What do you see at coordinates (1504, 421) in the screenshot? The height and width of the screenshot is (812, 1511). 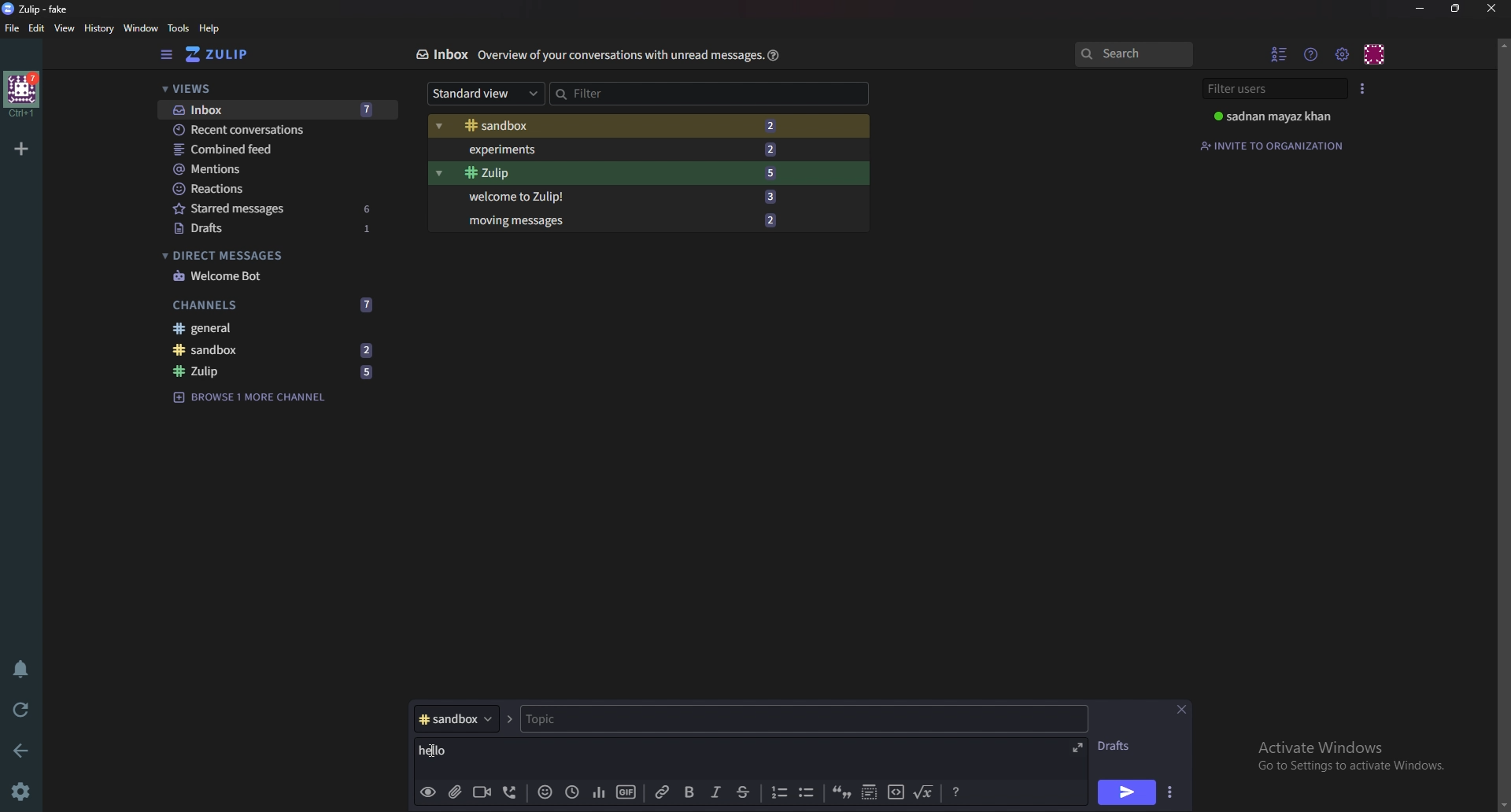 I see `scroll bar` at bounding box center [1504, 421].